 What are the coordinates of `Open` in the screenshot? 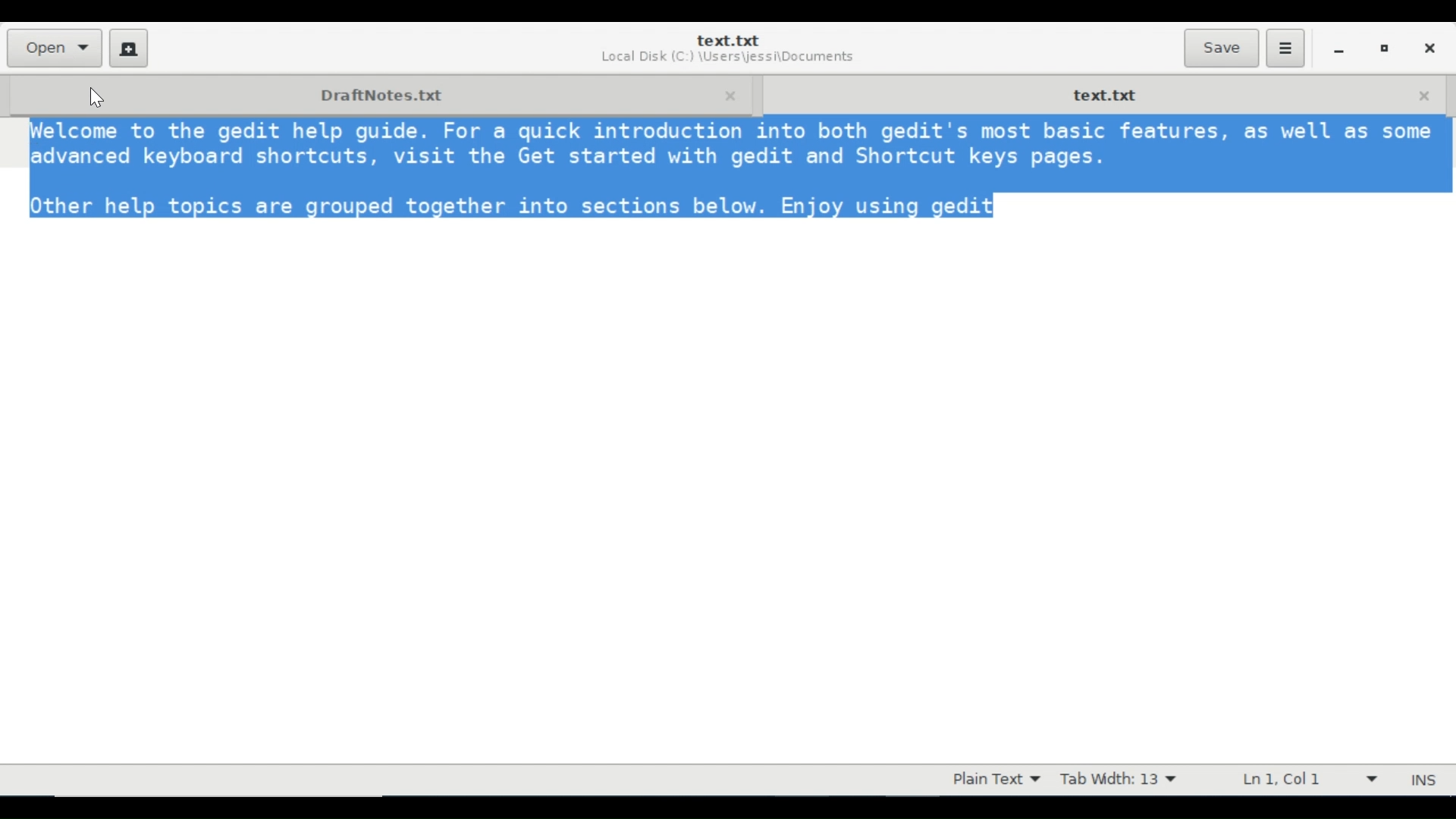 It's located at (53, 48).